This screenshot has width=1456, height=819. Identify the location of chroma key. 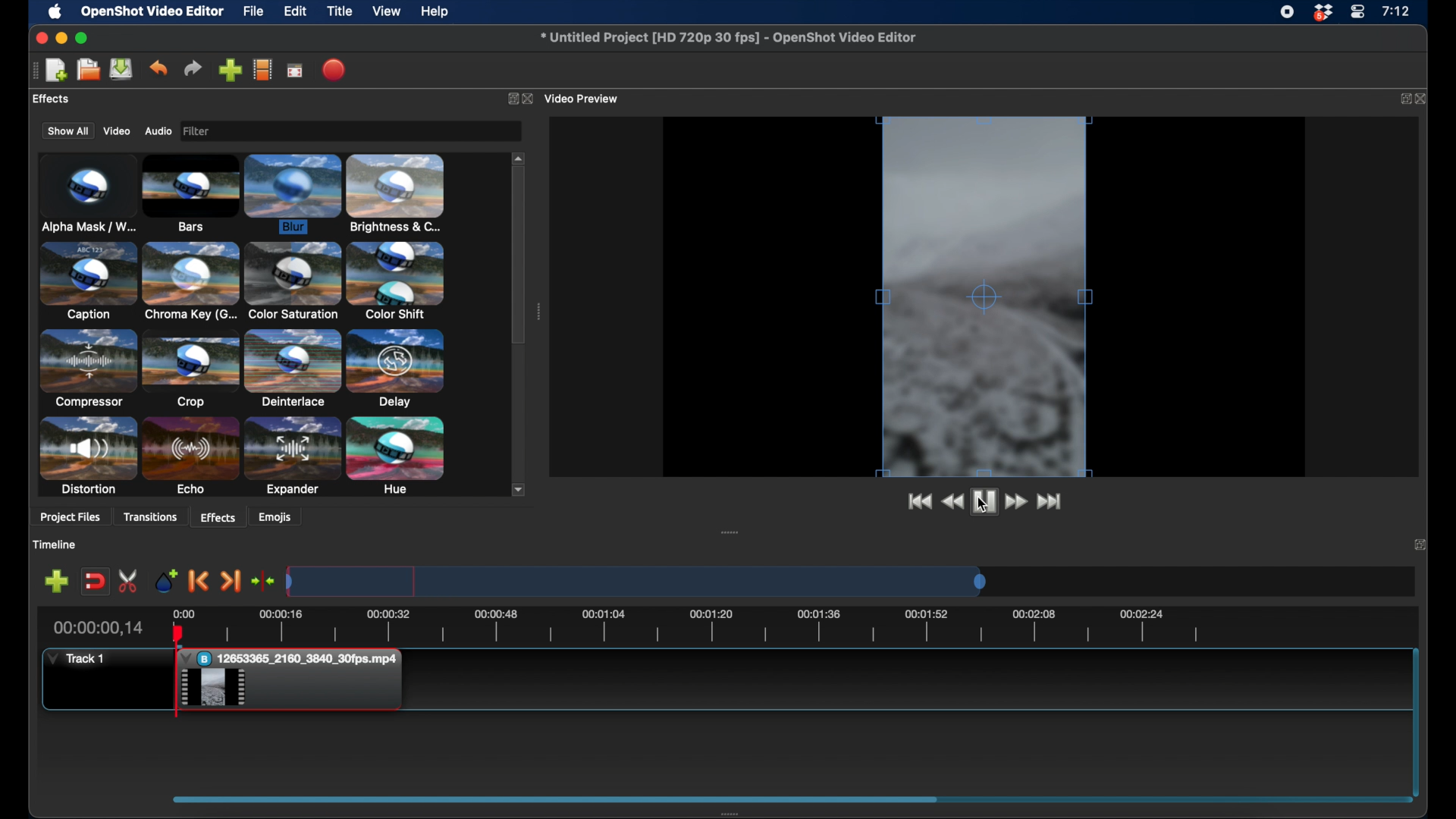
(191, 281).